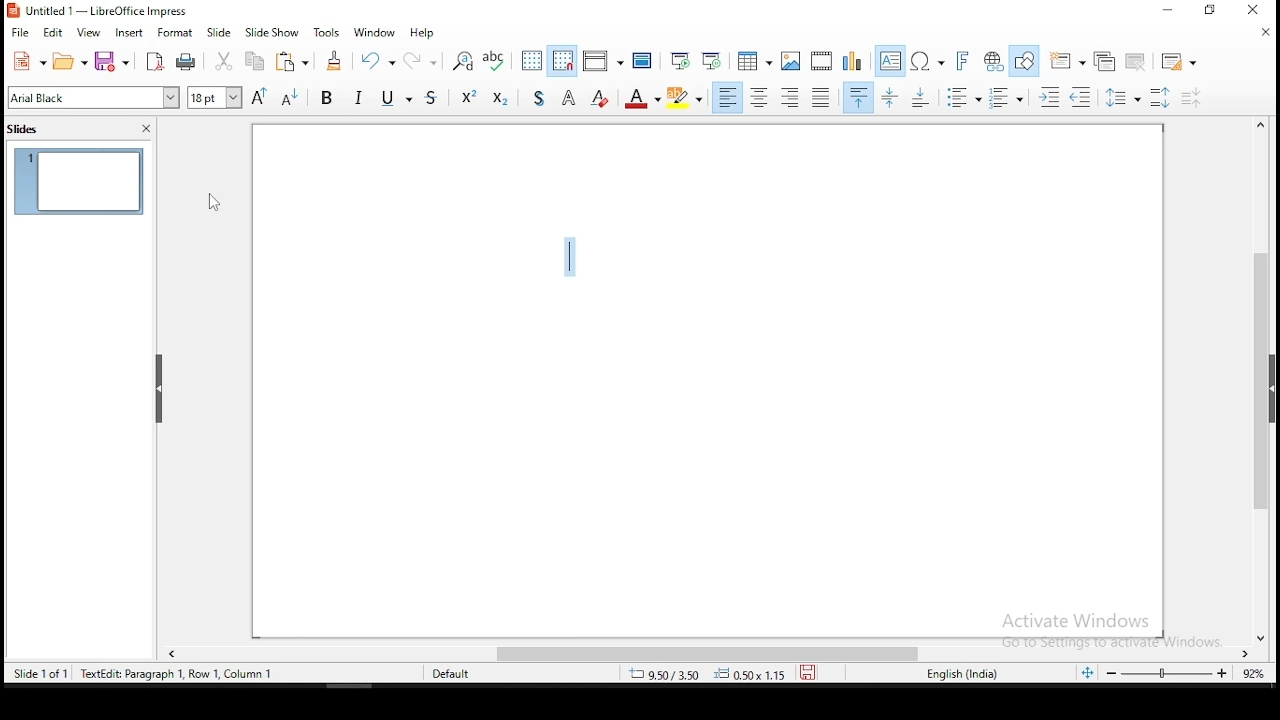  What do you see at coordinates (963, 98) in the screenshot?
I see `Bullet points` at bounding box center [963, 98].